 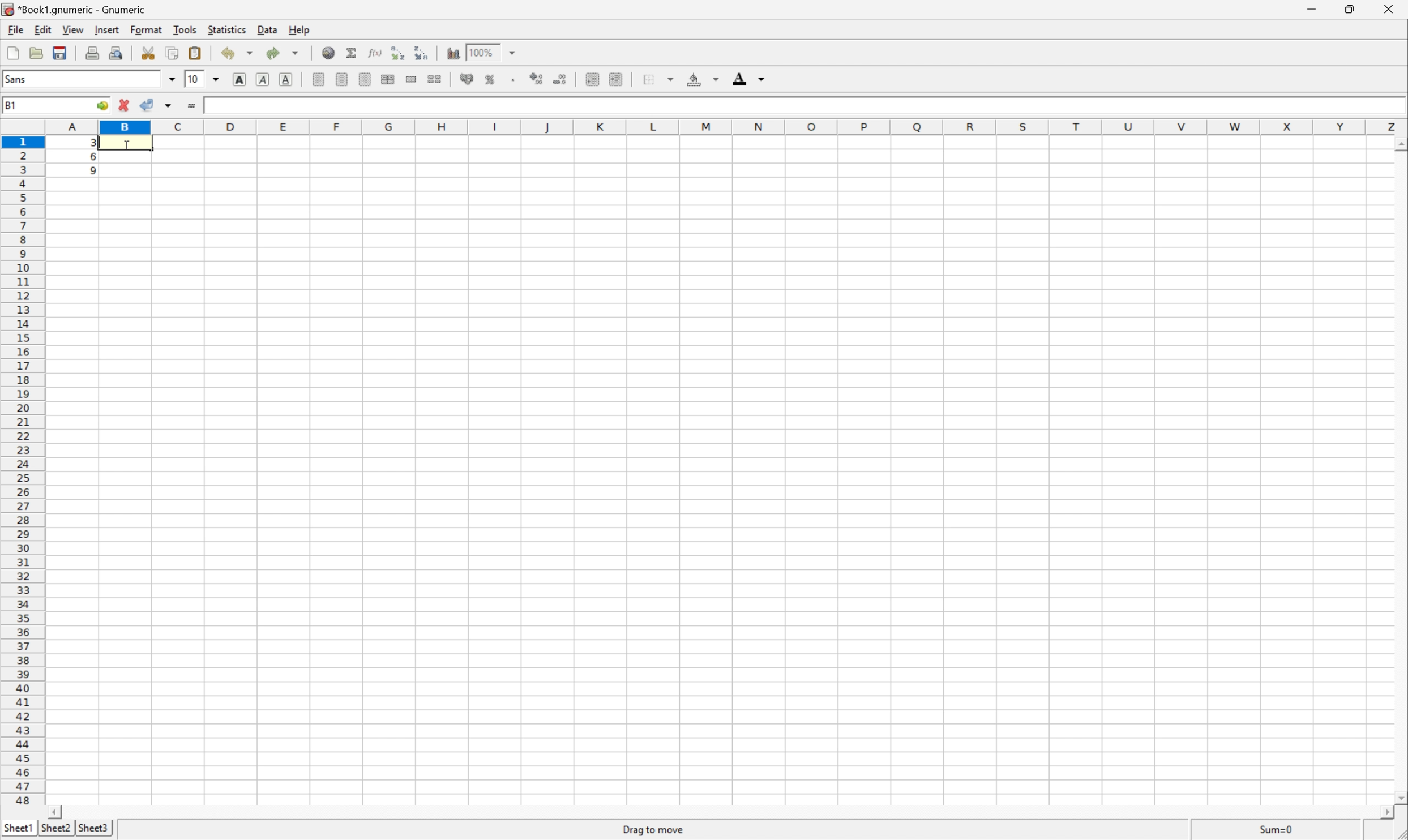 I want to click on Increase indent, and align the contents to the left, so click(x=617, y=79).